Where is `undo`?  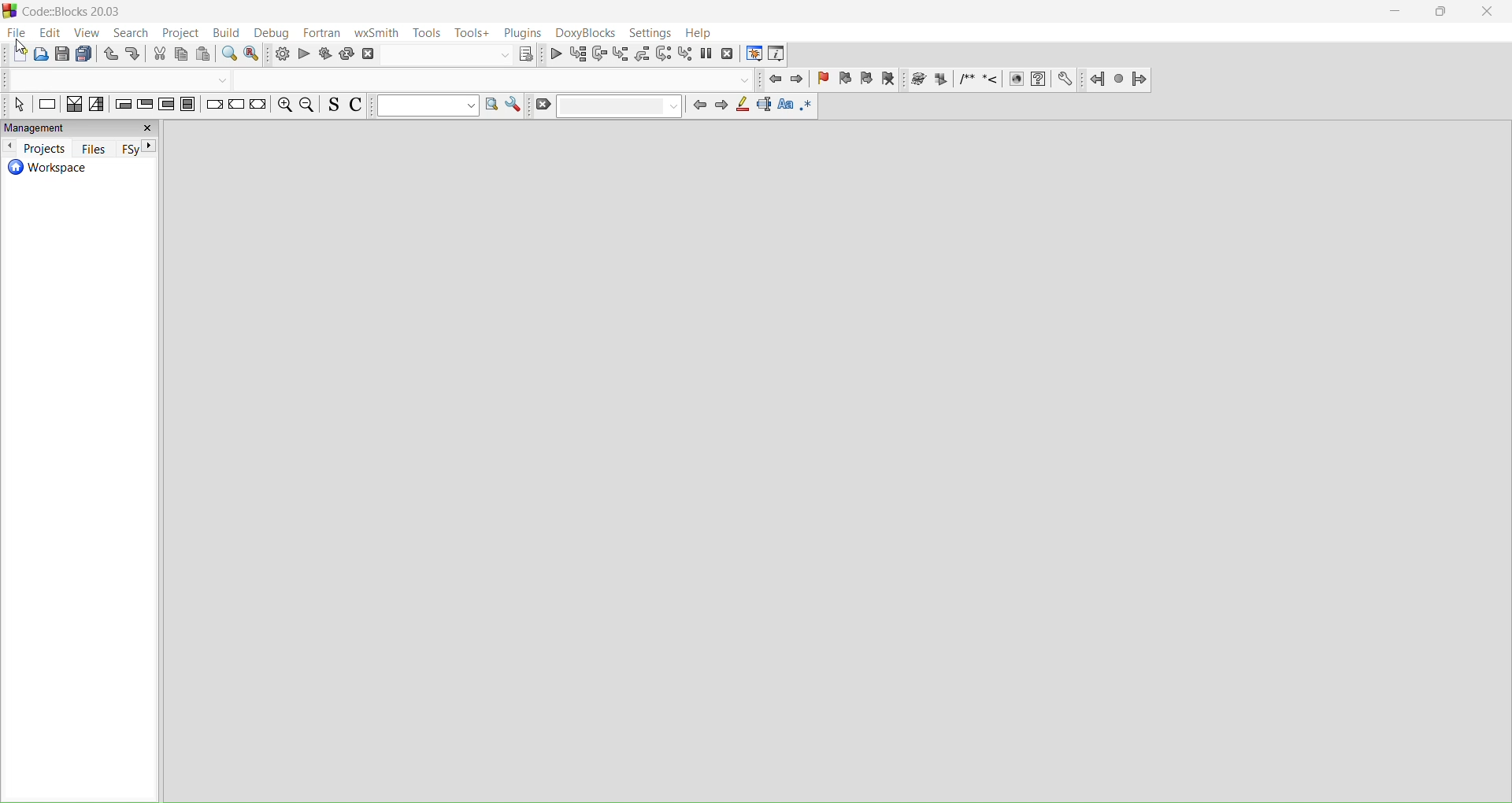 undo is located at coordinates (113, 55).